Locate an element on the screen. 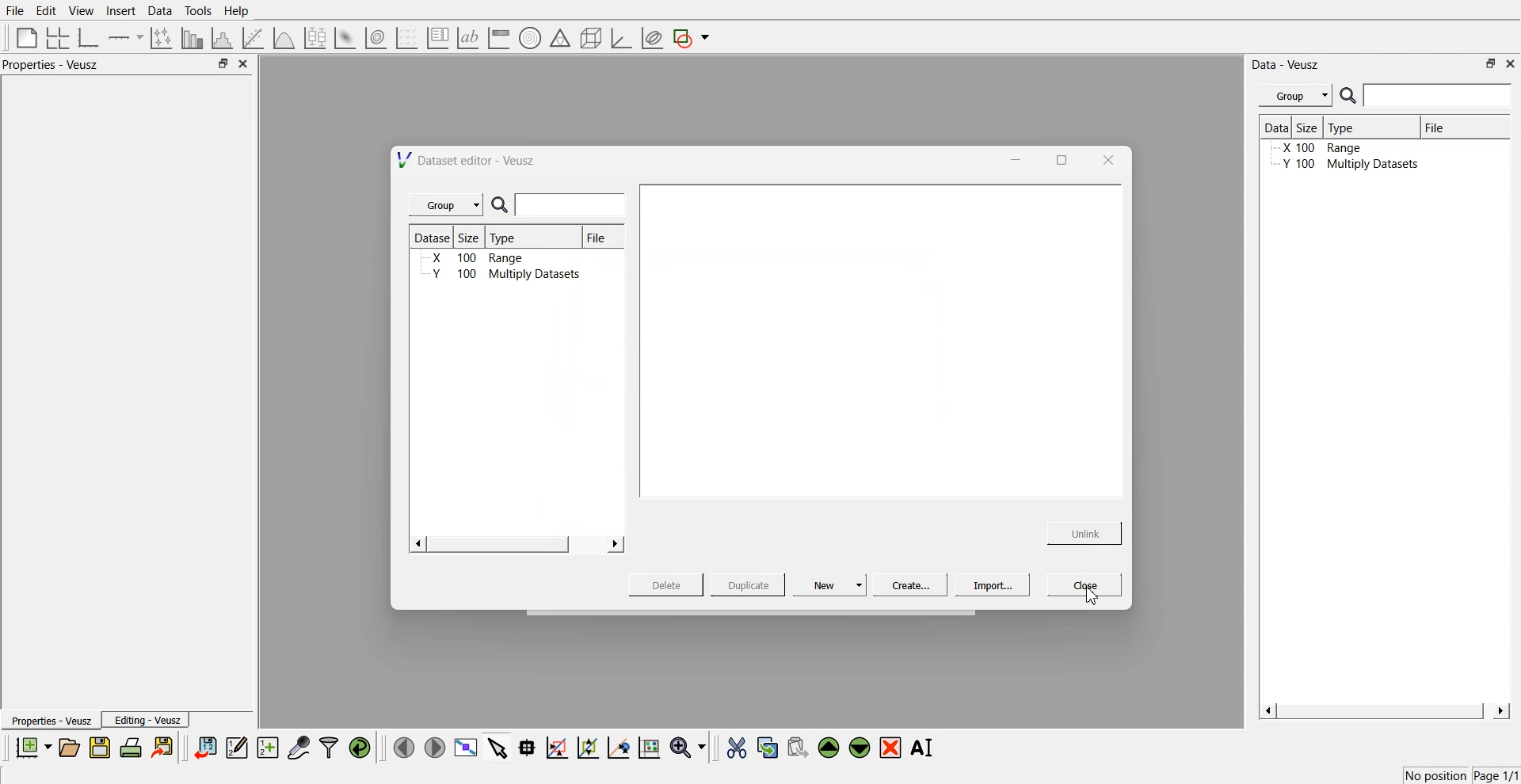  open is located at coordinates (69, 748).